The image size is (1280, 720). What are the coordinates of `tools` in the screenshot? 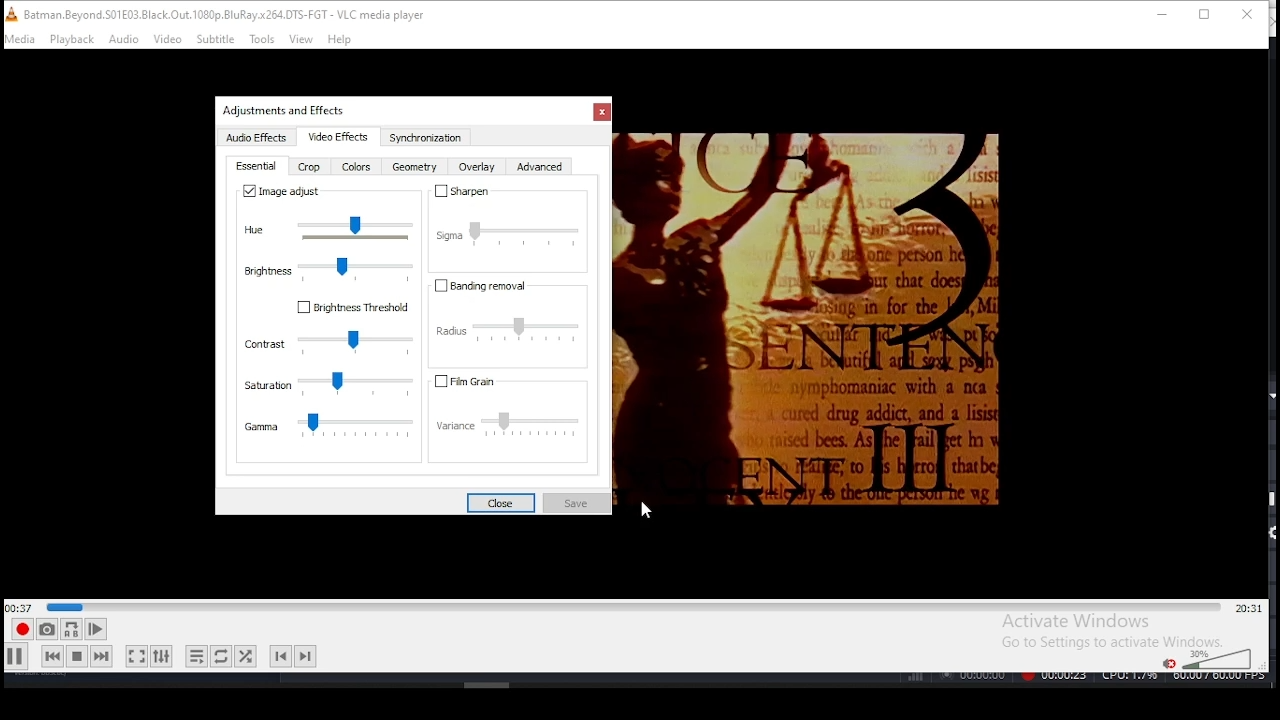 It's located at (262, 39).